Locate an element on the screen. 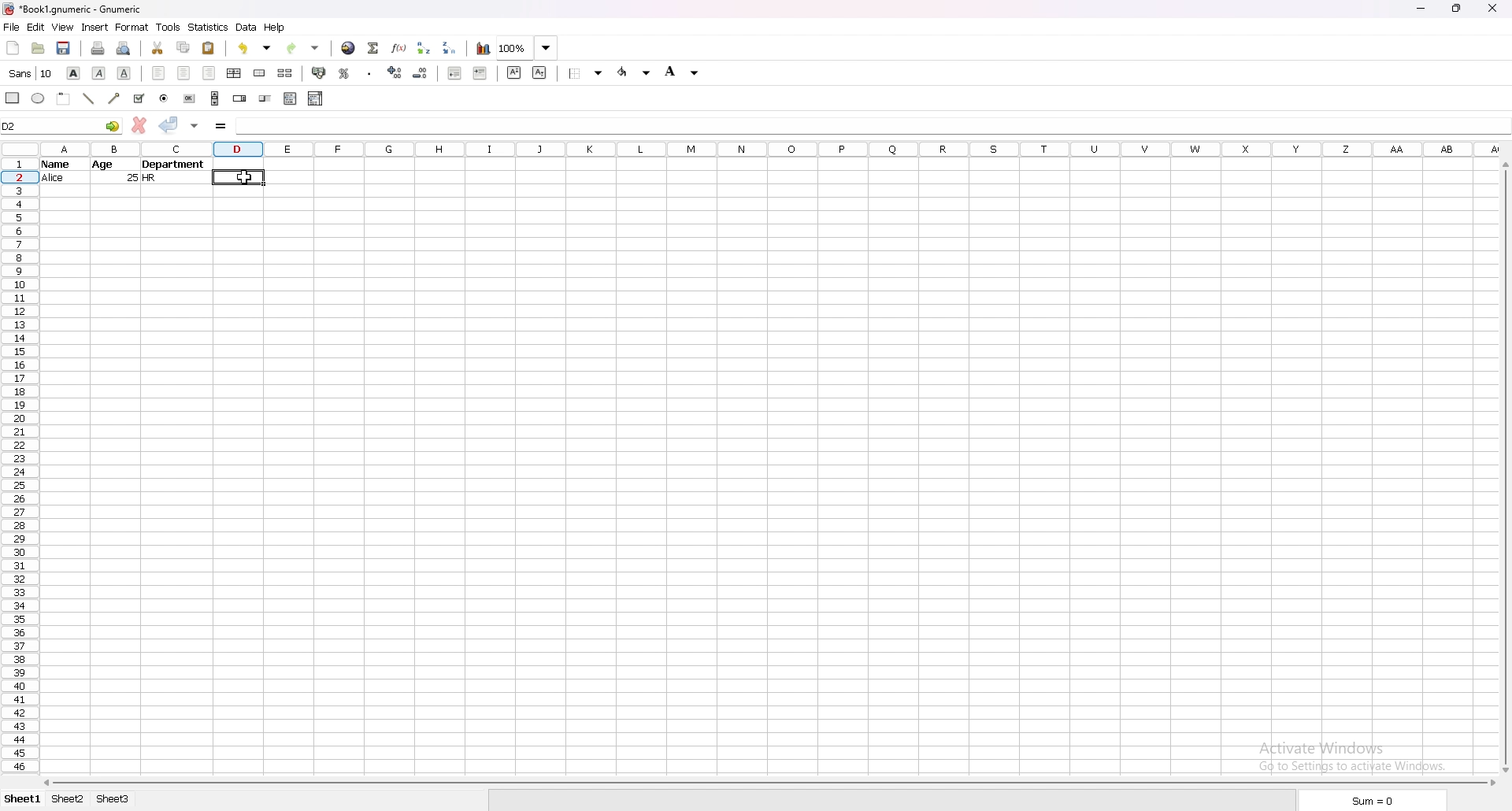 Image resolution: width=1512 pixels, height=811 pixels. decrease decimals is located at coordinates (421, 72).